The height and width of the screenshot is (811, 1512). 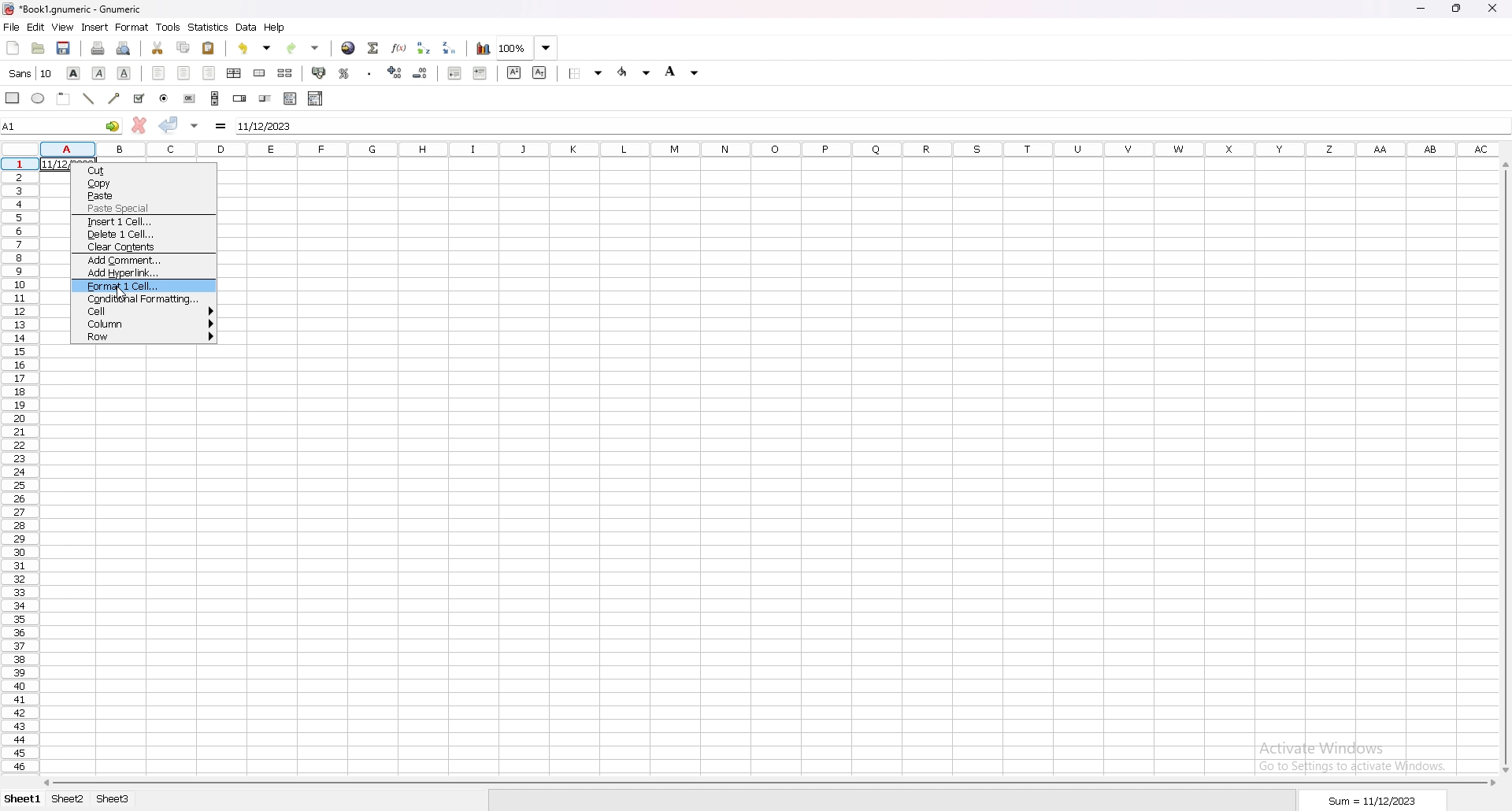 I want to click on 11/12, so click(x=57, y=165).